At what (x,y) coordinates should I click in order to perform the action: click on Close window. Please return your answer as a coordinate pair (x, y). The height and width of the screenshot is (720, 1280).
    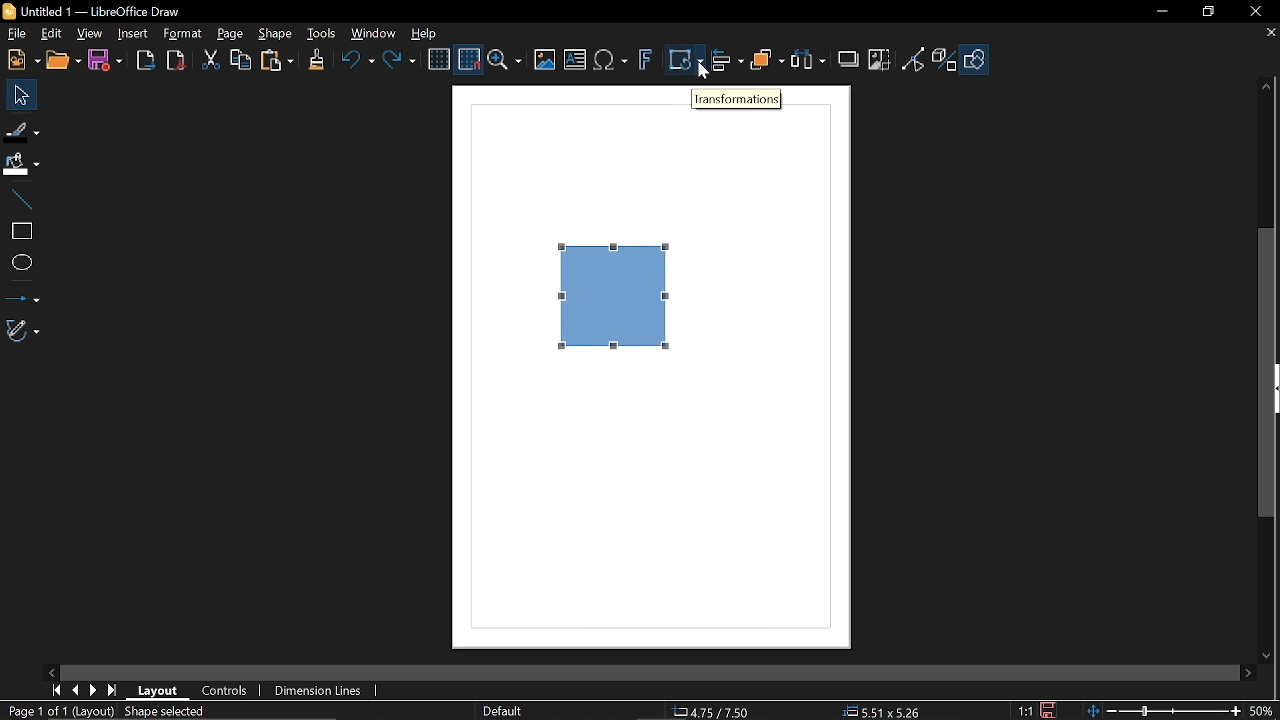
    Looking at the image, I should click on (1255, 12).